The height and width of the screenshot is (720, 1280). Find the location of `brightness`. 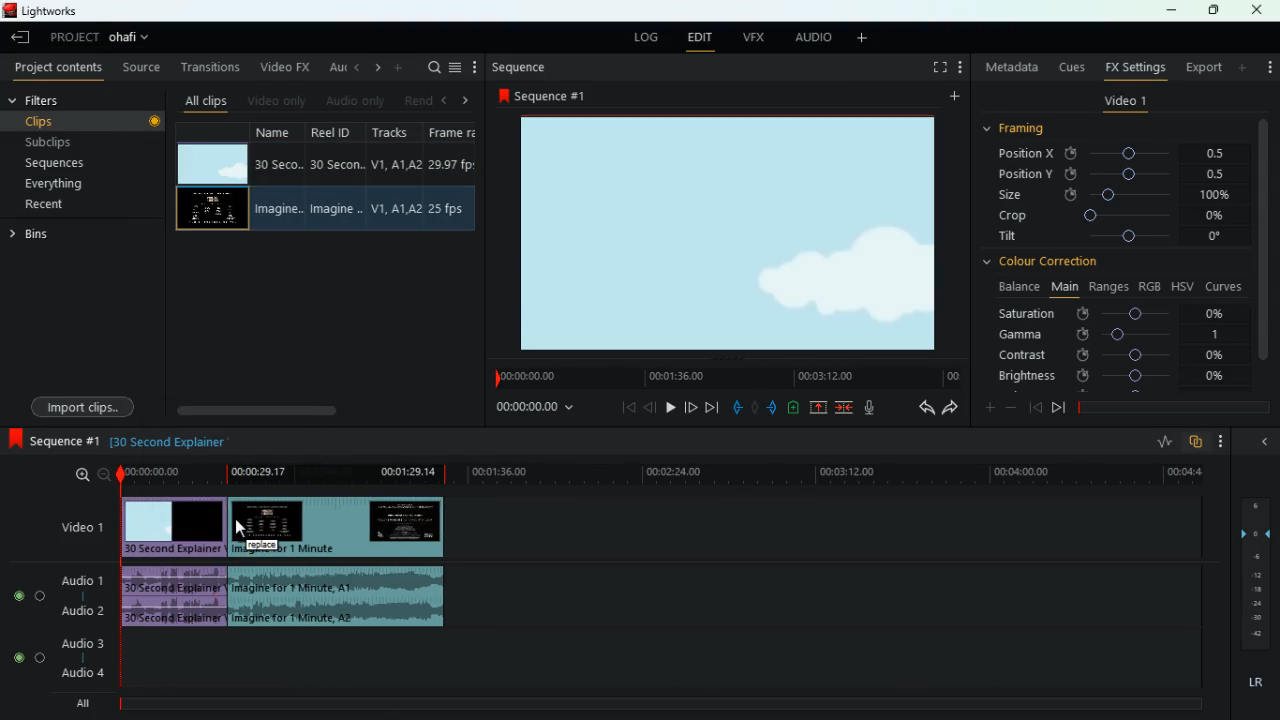

brightness is located at coordinates (1113, 377).